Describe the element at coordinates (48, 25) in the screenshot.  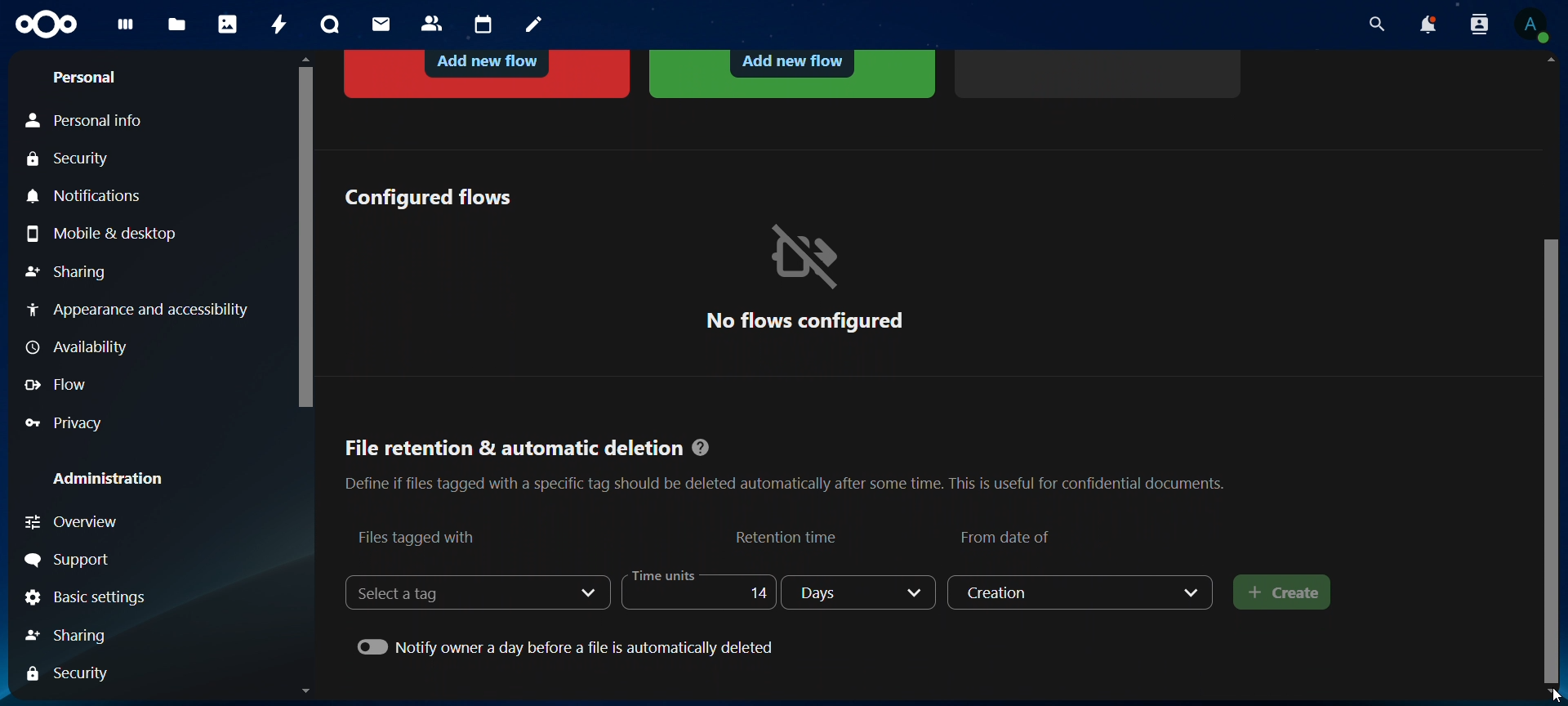
I see `icon` at that location.